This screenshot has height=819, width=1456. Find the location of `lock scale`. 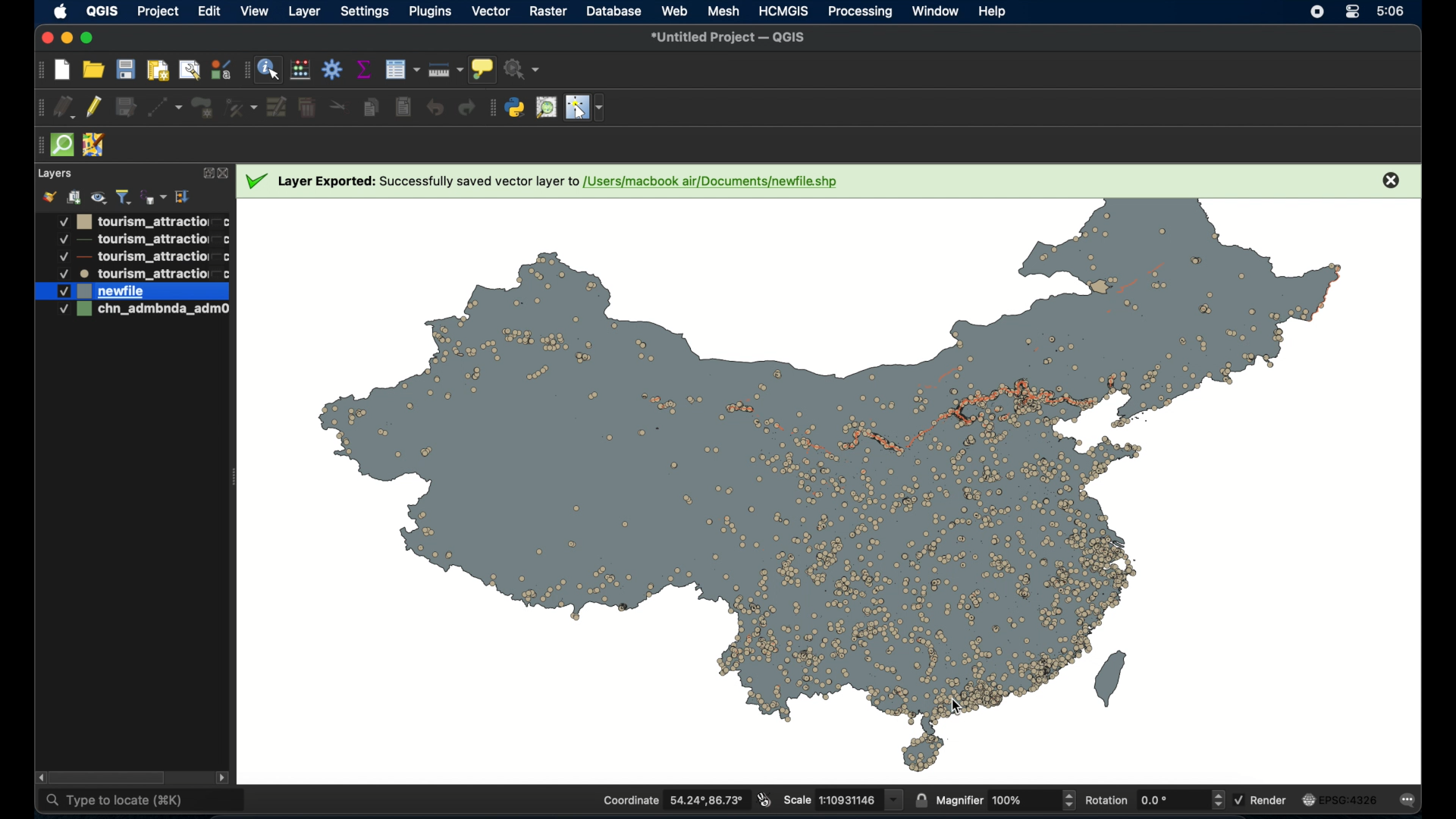

lock scale is located at coordinates (921, 798).